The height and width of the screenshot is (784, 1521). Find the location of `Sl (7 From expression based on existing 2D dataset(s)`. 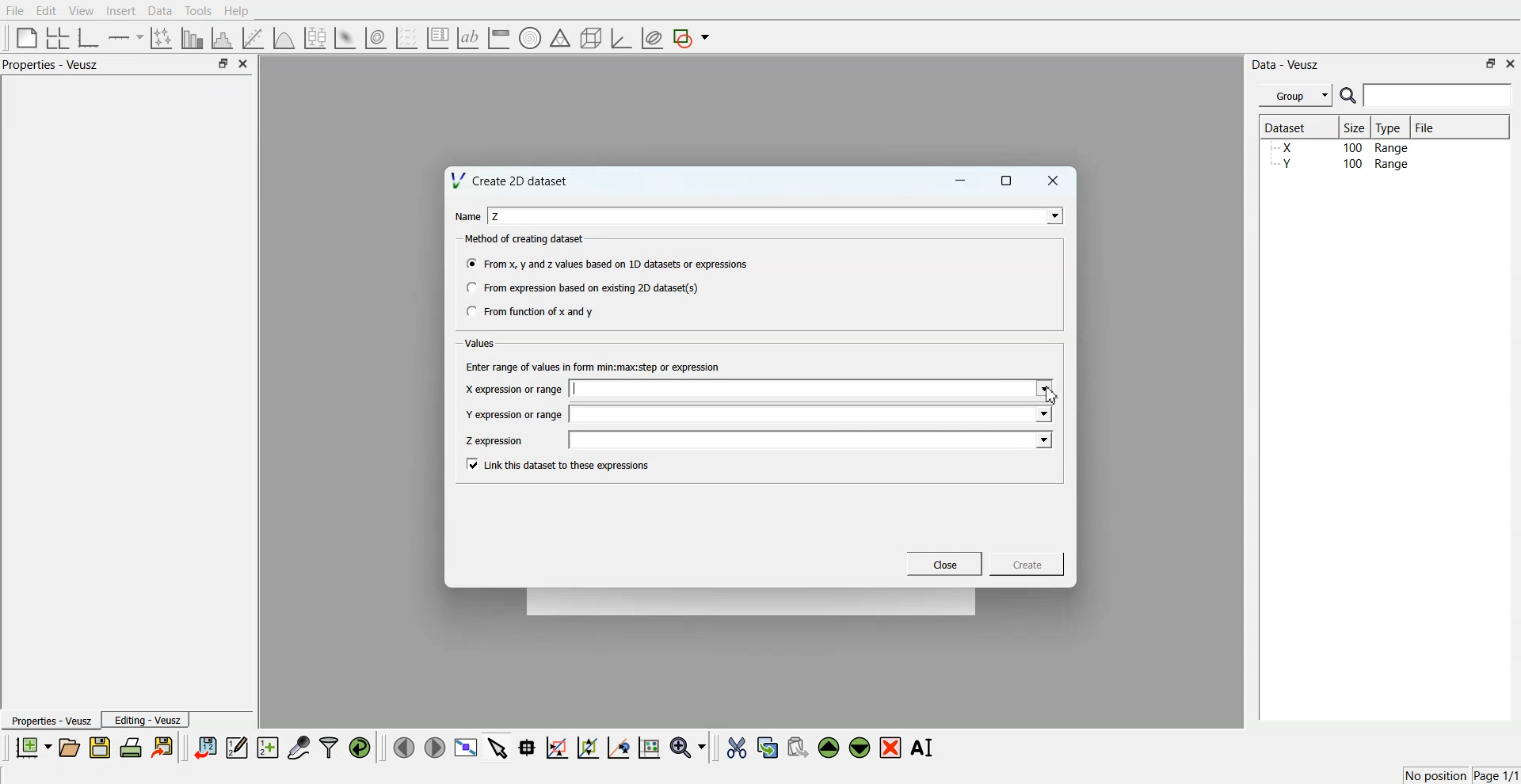

Sl (7 From expression based on existing 2D dataset(s) is located at coordinates (581, 287).